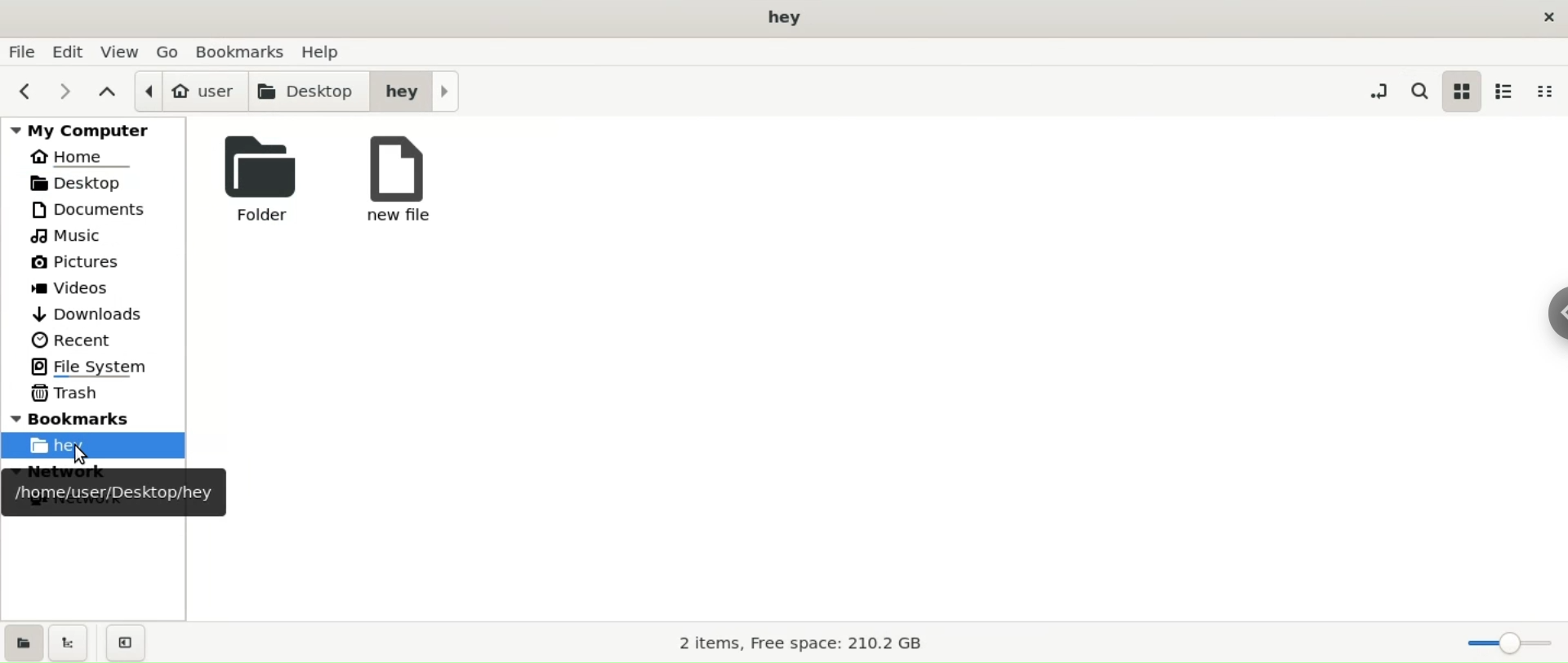 The height and width of the screenshot is (663, 1568). I want to click on chrome options, so click(1558, 307).